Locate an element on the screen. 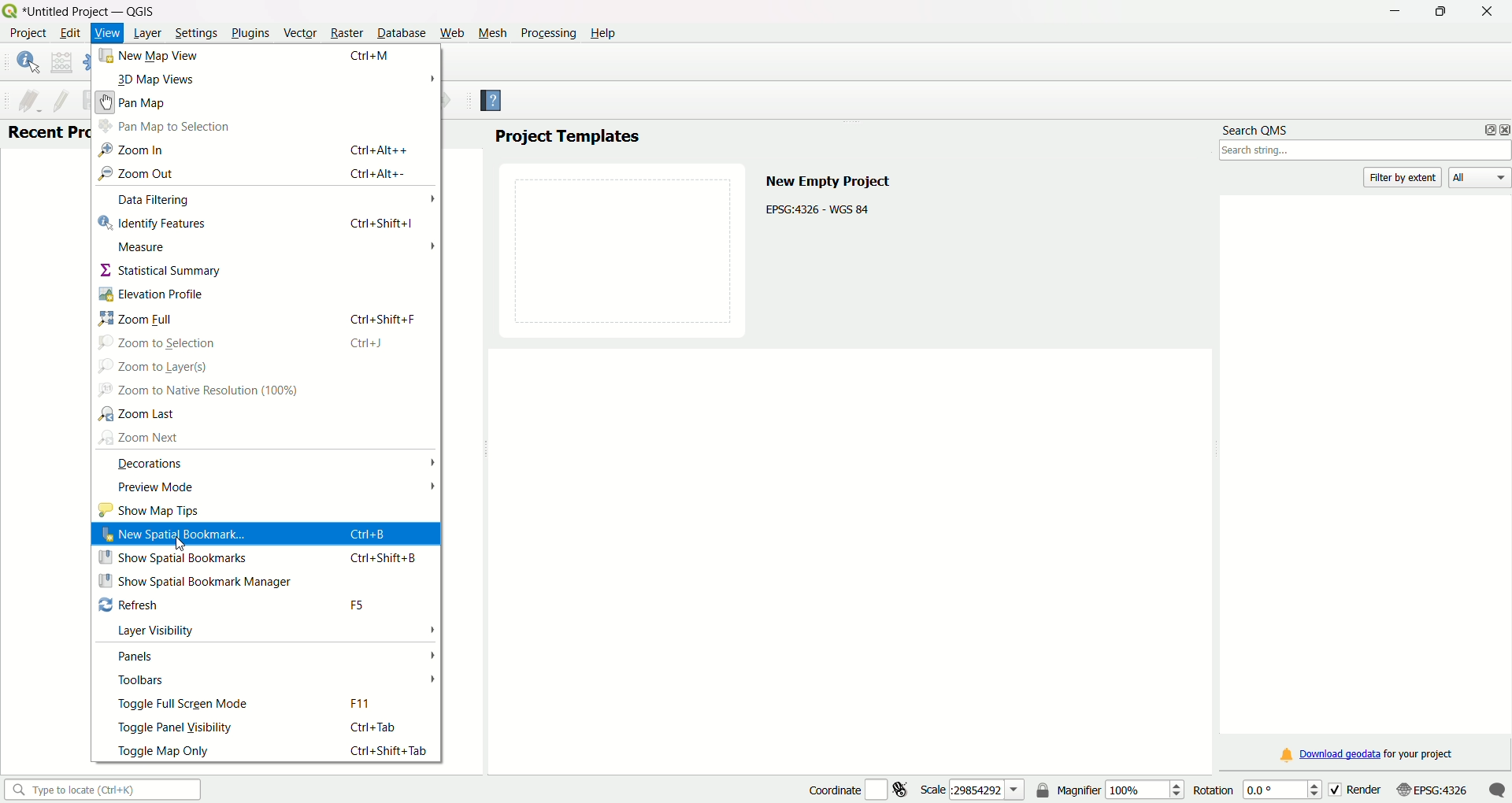 This screenshot has width=1512, height=803. show spatial bookmark is located at coordinates (175, 558).